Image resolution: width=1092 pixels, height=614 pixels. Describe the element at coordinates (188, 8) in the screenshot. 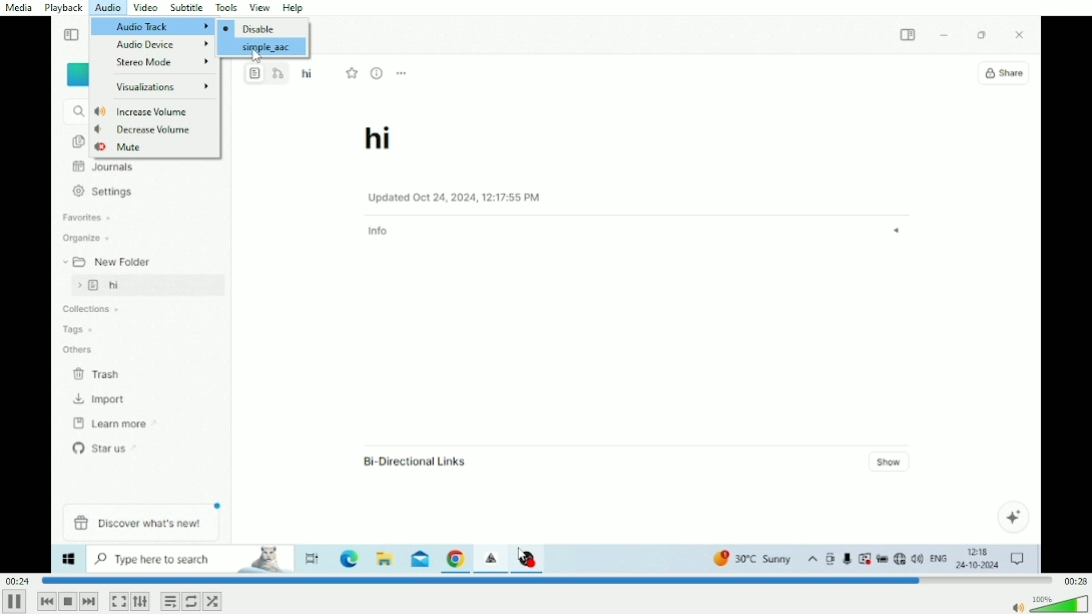

I see `Subtitle` at that location.